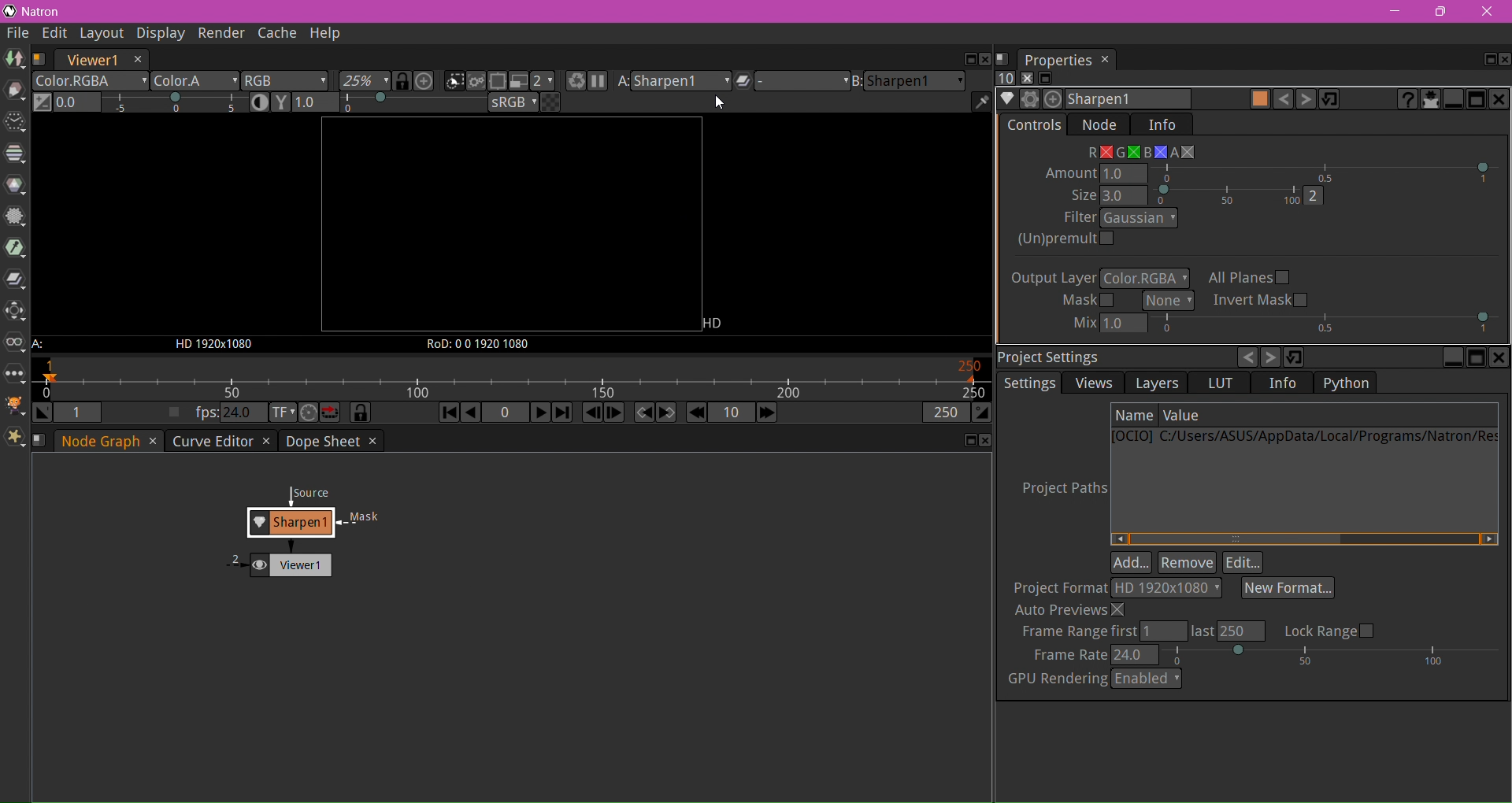  I want to click on Image format, so click(718, 322).